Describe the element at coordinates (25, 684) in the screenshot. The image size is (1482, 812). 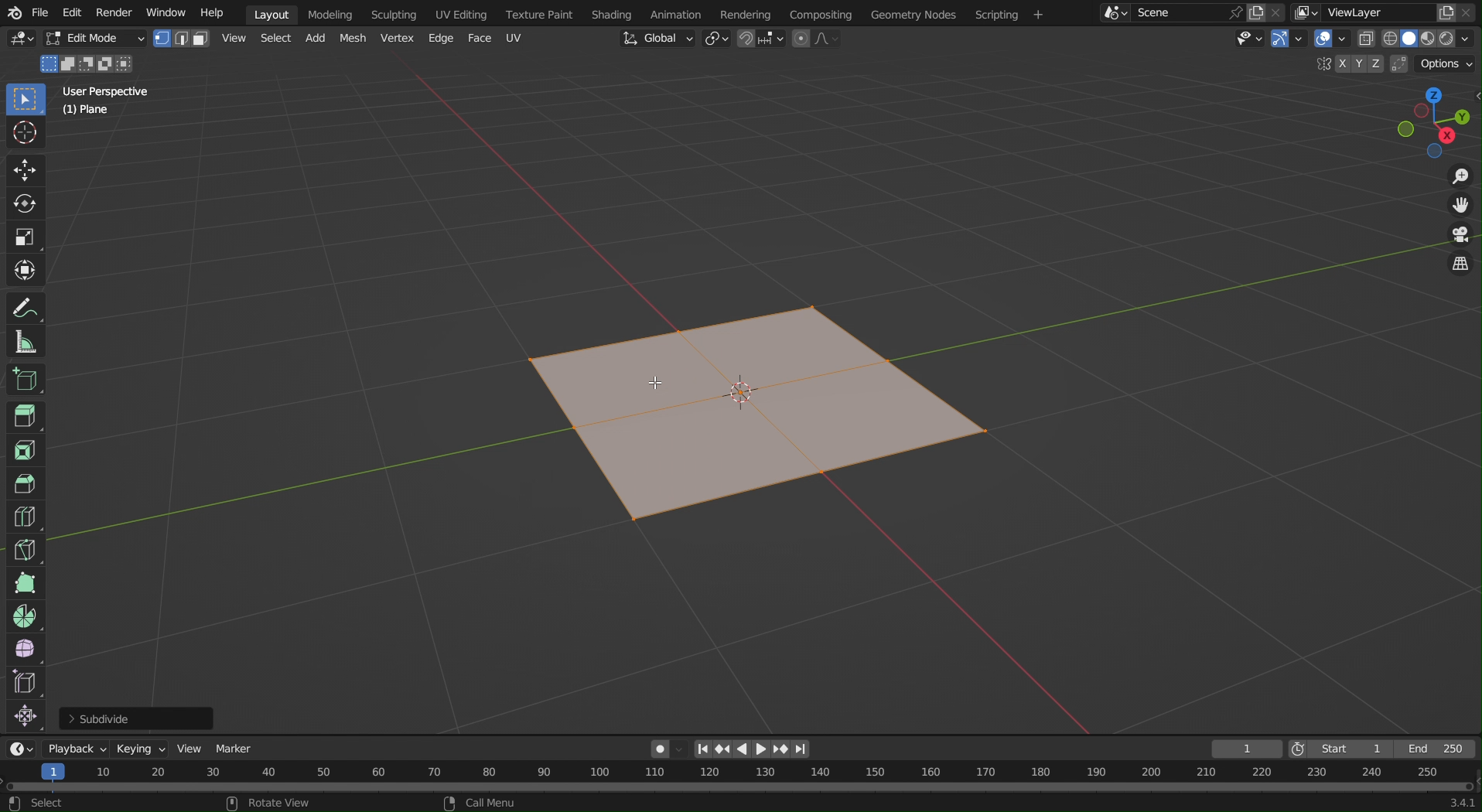
I see `Edge Slide` at that location.